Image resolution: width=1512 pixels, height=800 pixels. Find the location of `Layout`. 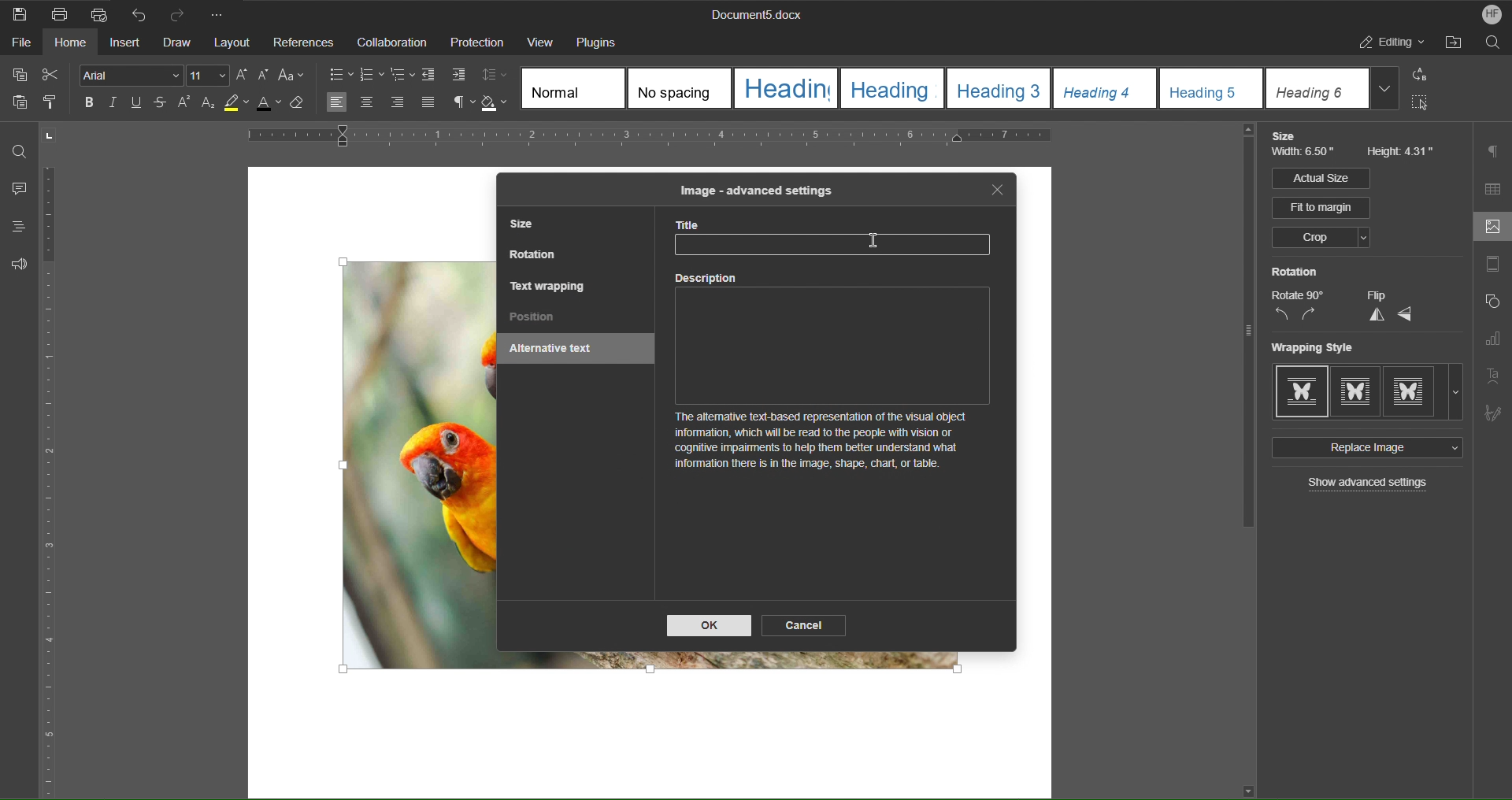

Layout is located at coordinates (234, 43).